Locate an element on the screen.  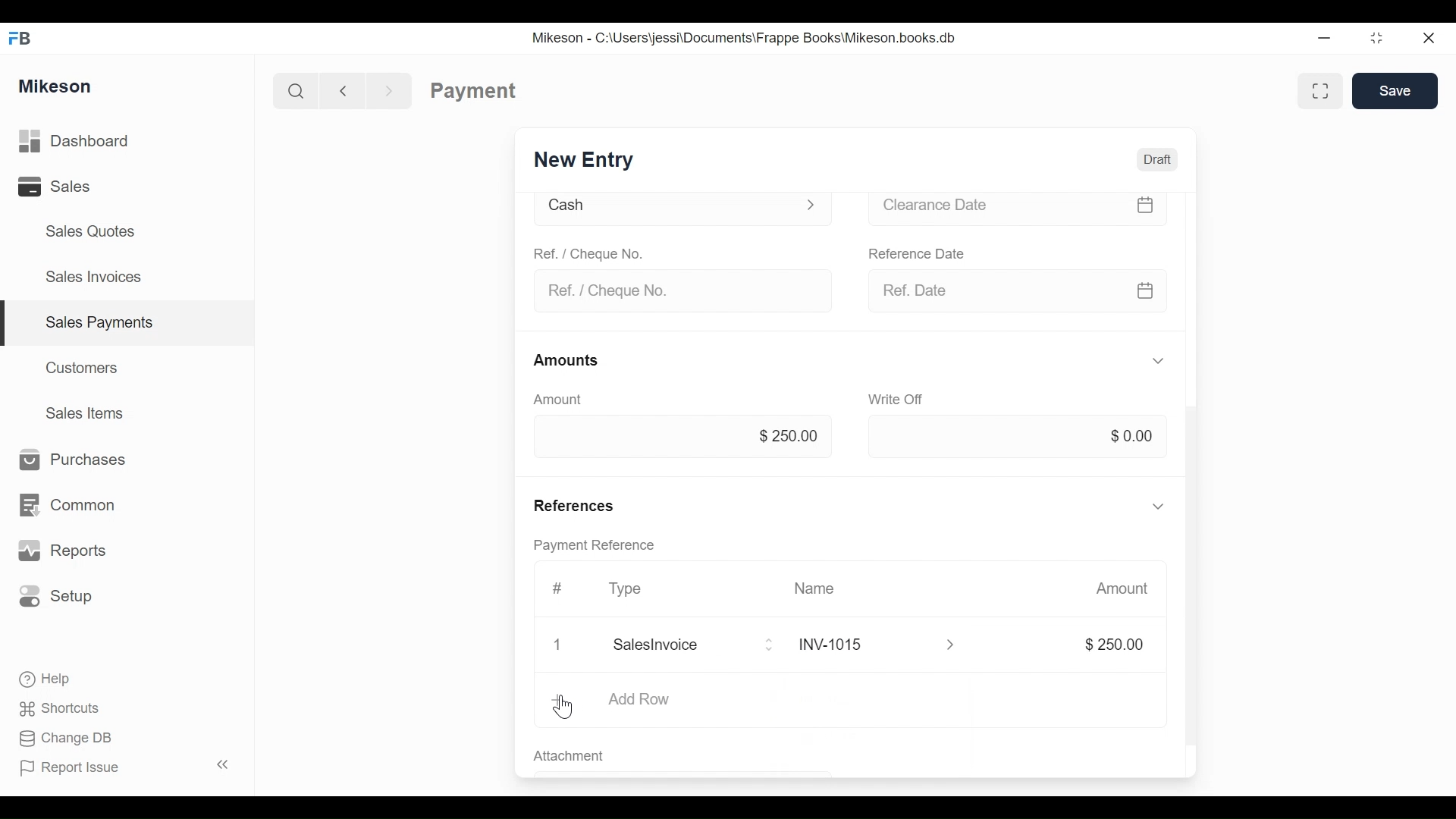
Close is located at coordinates (1426, 36).